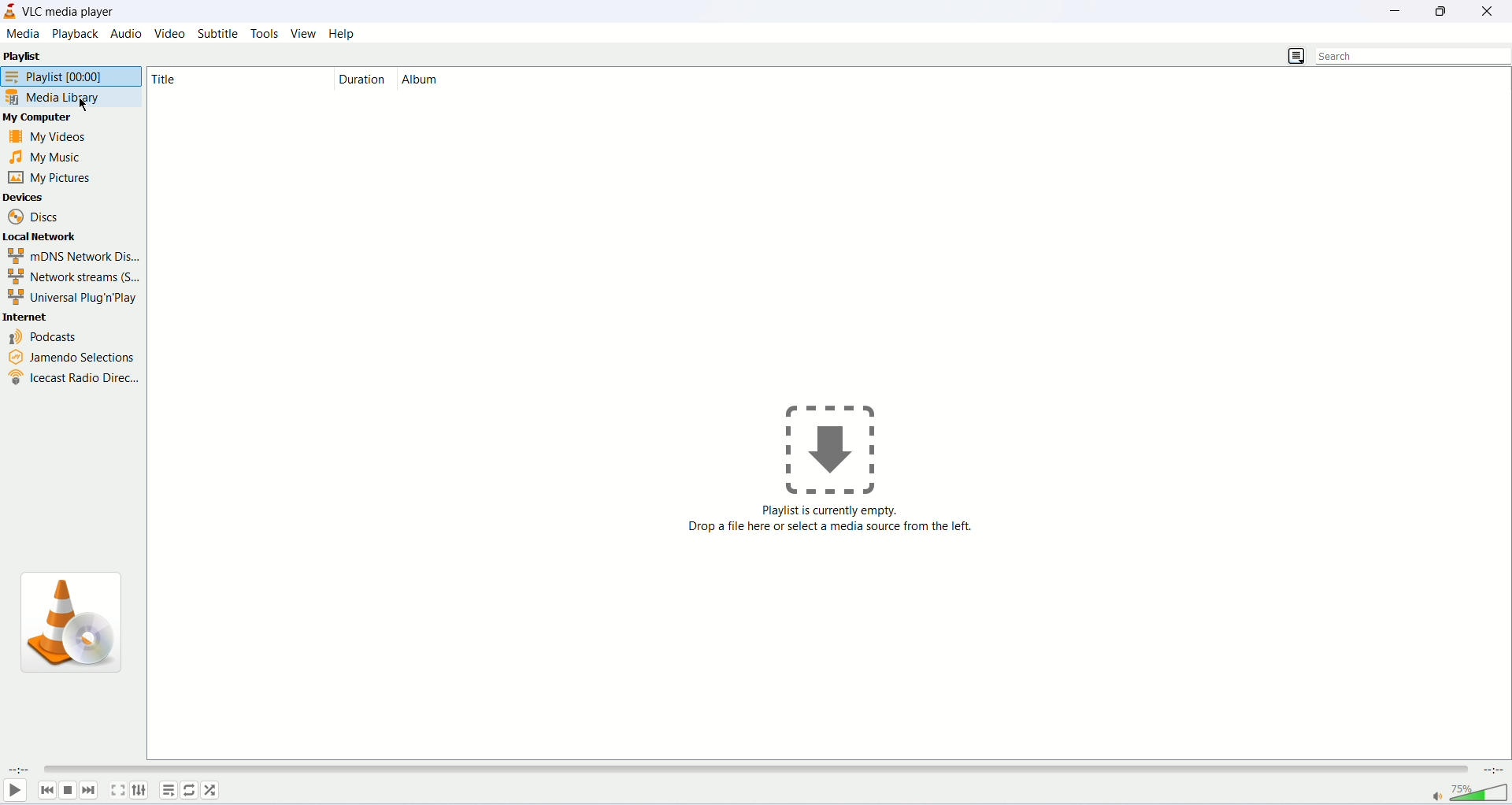 This screenshot has height=805, width=1512. I want to click on type, so click(224, 78).